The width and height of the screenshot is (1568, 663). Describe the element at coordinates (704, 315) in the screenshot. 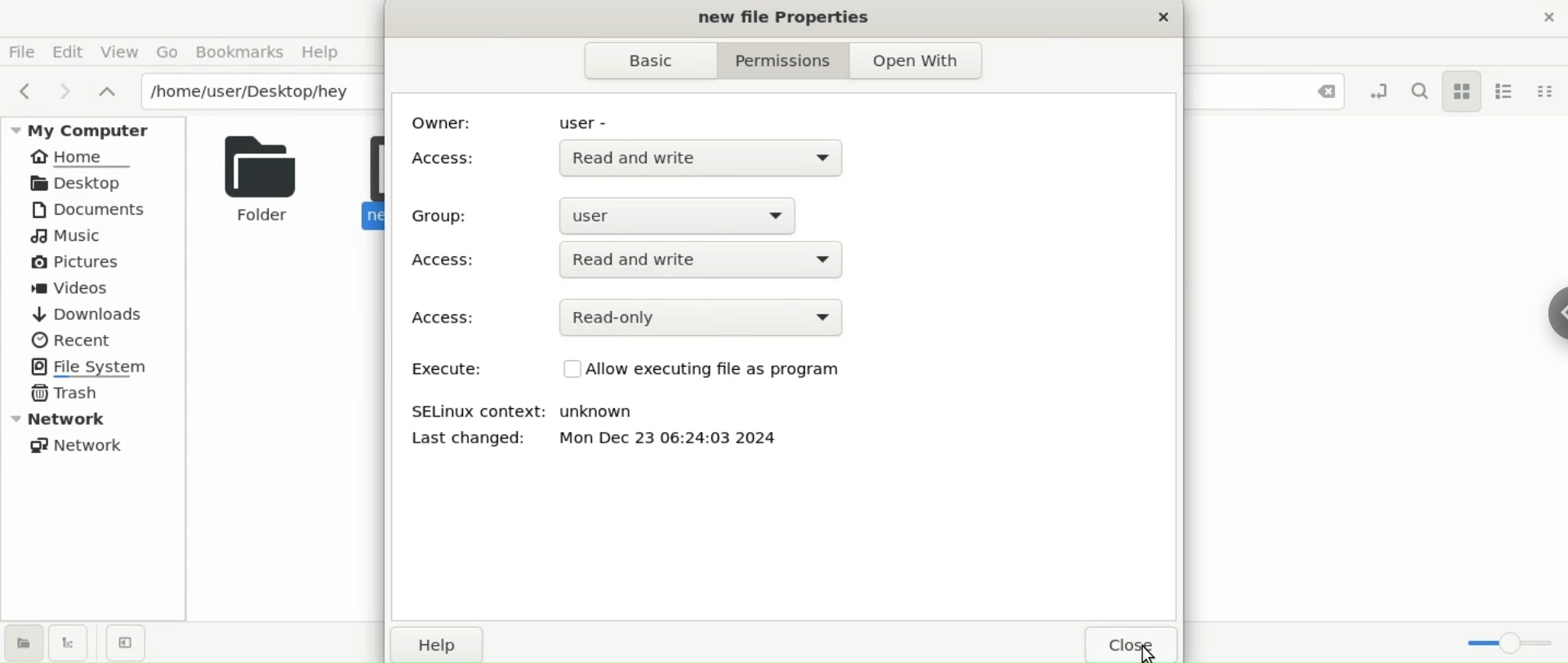

I see `Read-only ` at that location.